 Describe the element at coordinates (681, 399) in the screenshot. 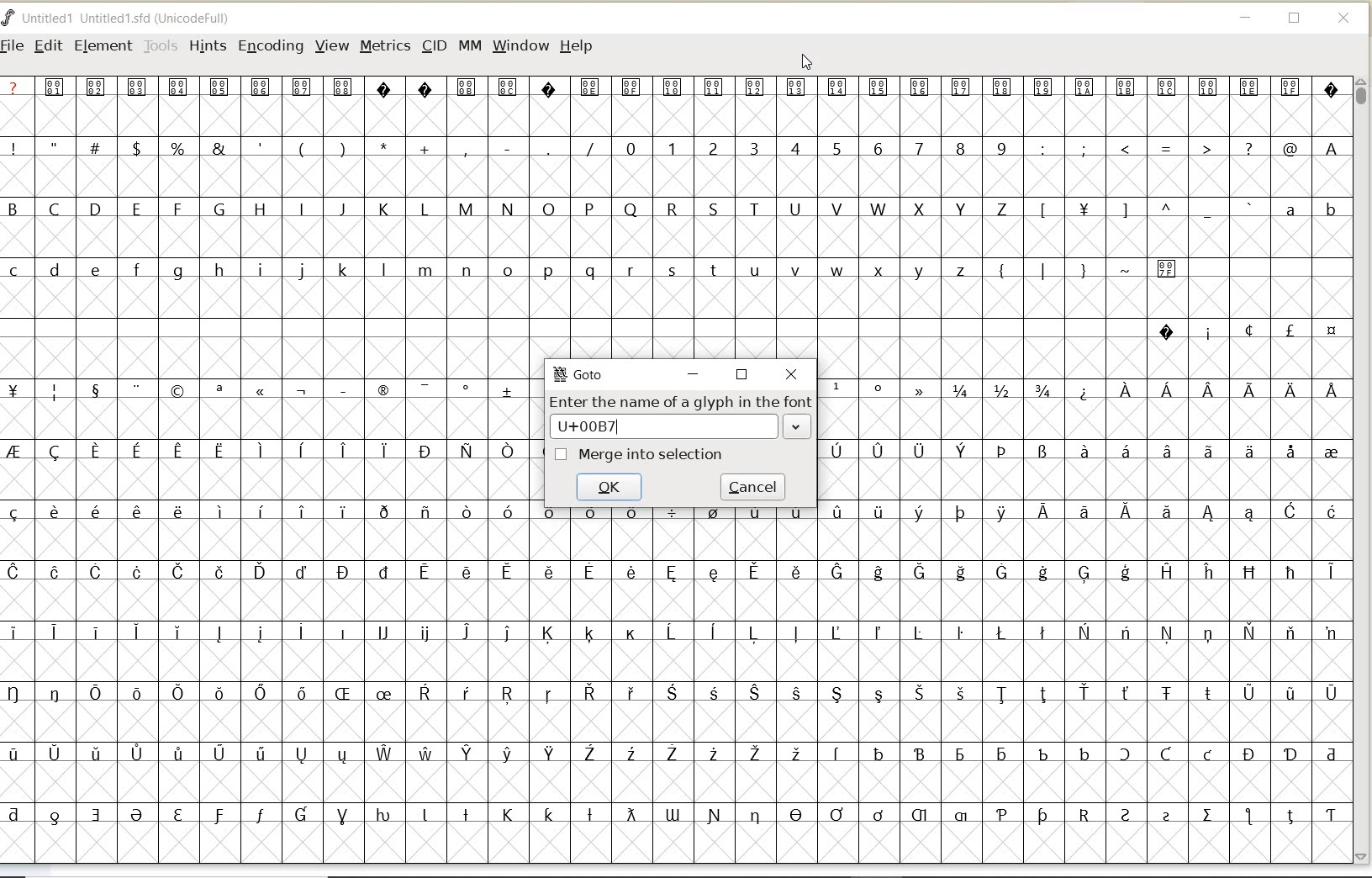

I see `Enter the name of a glyph in the font` at that location.